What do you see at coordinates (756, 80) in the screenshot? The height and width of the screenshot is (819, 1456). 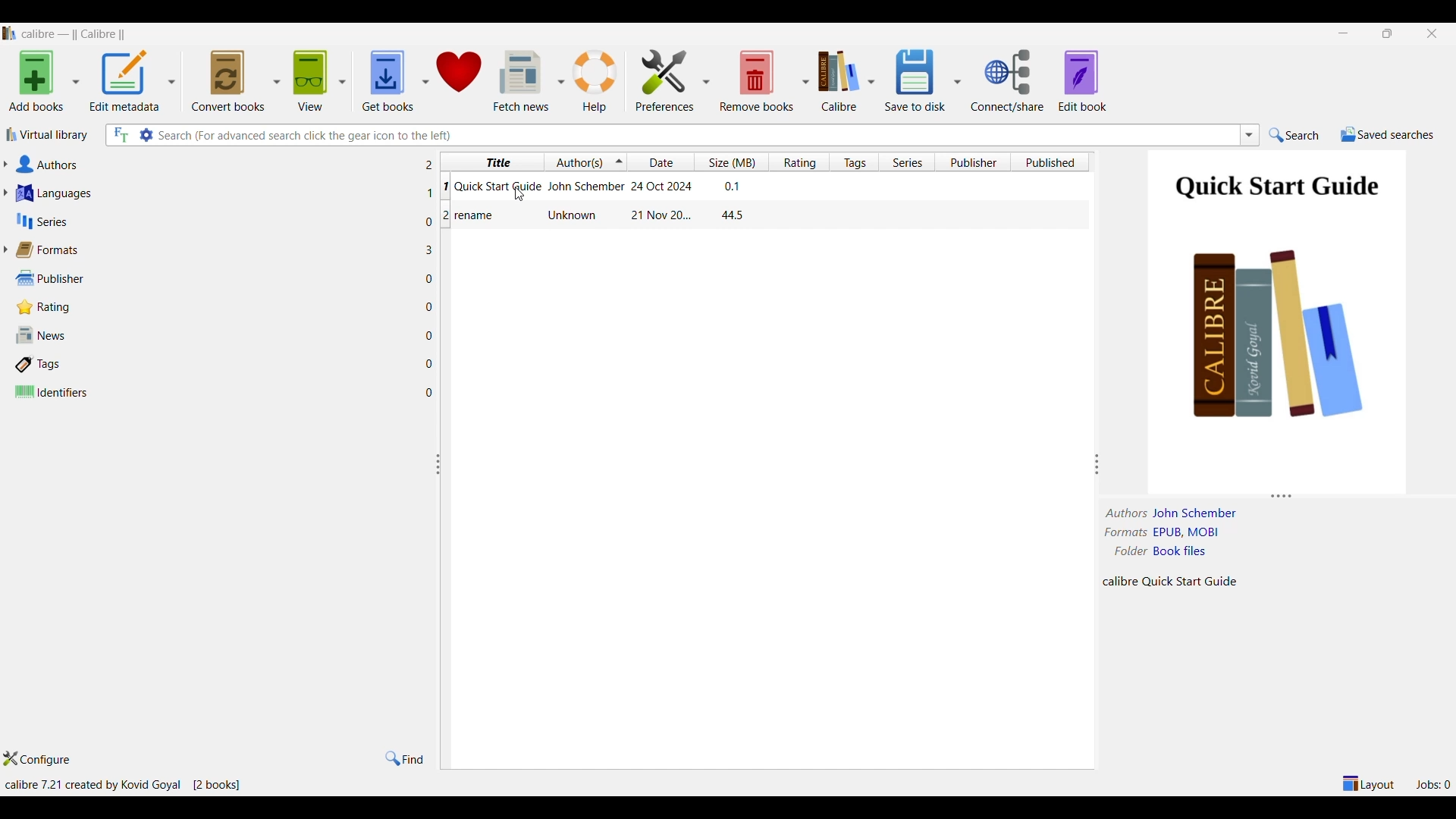 I see `Remove books` at bounding box center [756, 80].